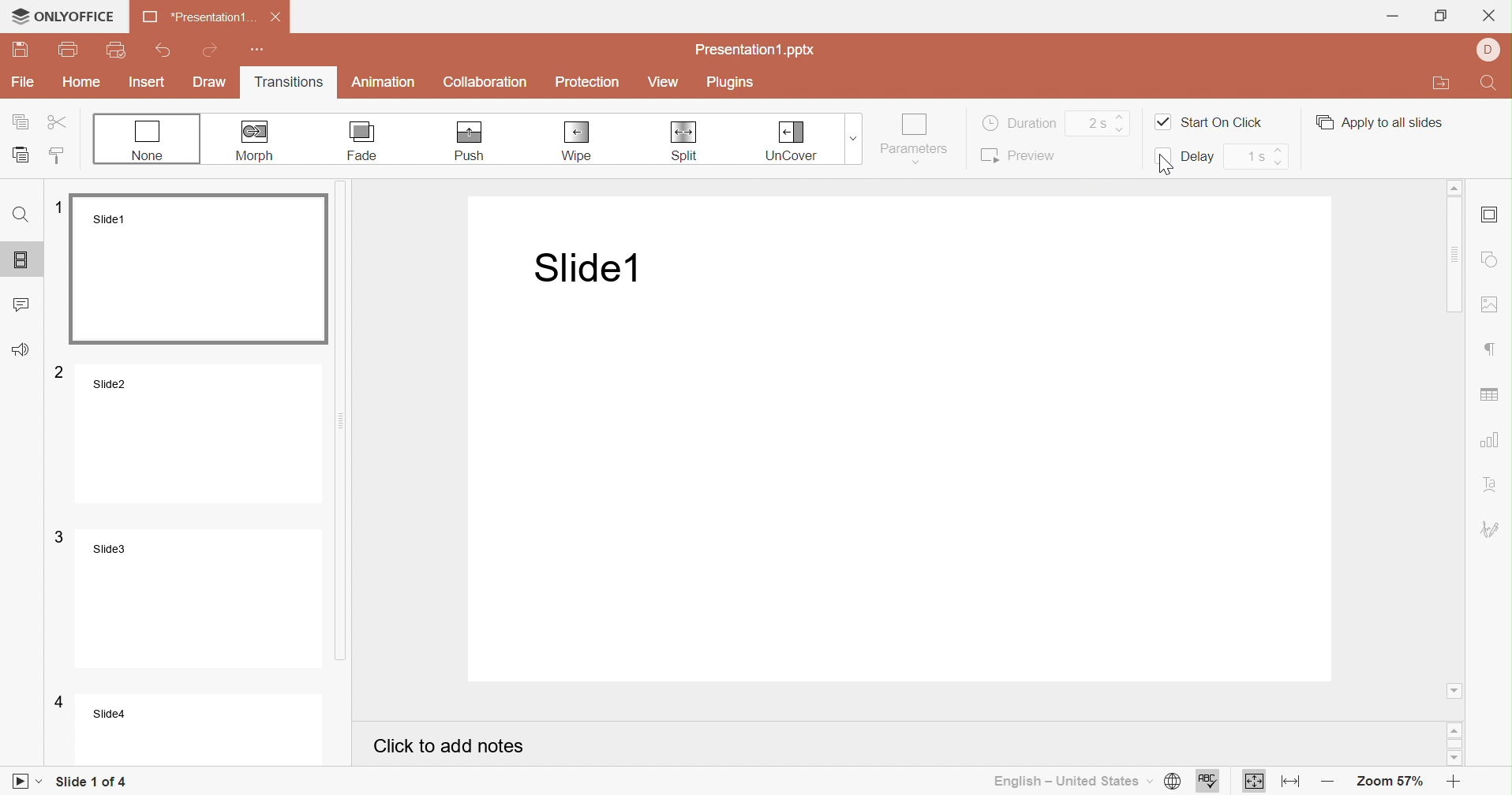 The width and height of the screenshot is (1512, 795). I want to click on Duration, so click(1020, 121).